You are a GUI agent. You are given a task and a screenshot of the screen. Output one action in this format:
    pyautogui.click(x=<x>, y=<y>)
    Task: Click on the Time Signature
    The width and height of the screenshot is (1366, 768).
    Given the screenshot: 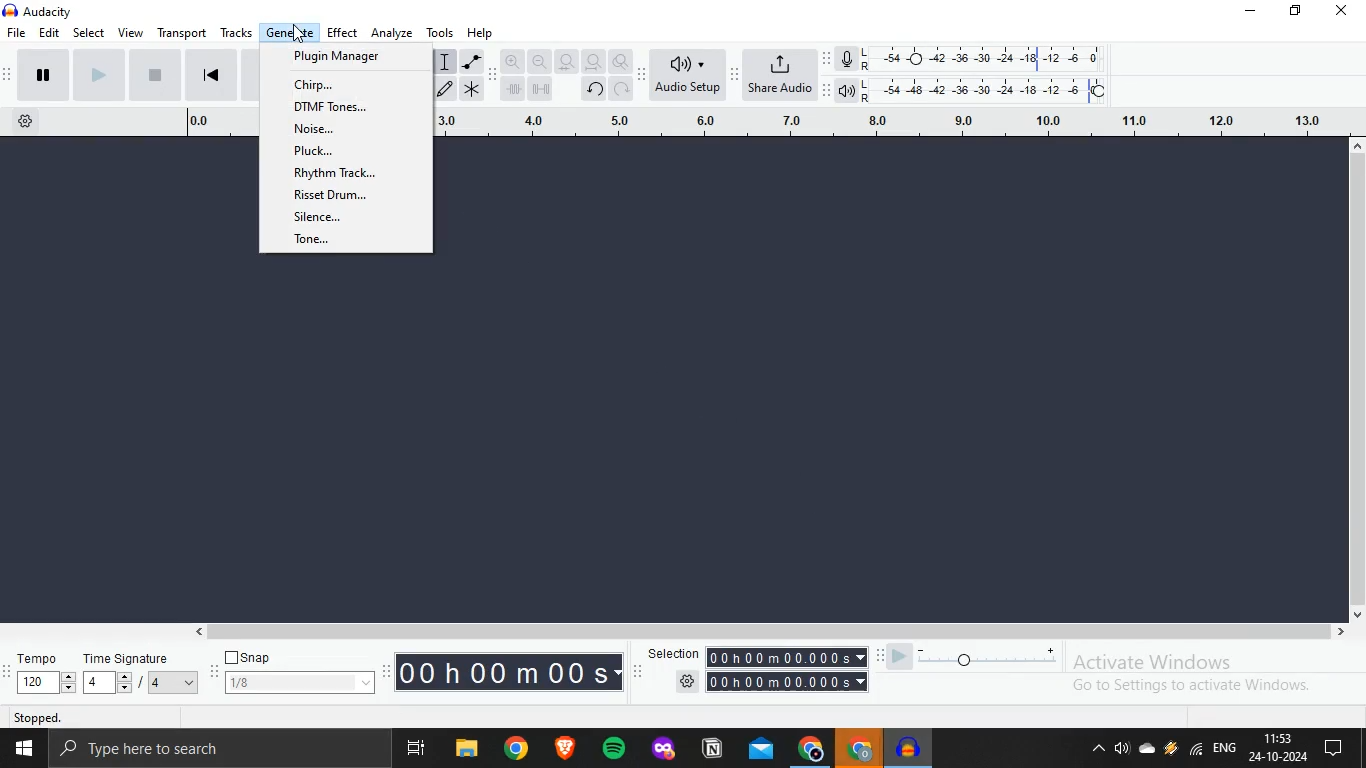 What is the action you would take?
    pyautogui.click(x=143, y=673)
    